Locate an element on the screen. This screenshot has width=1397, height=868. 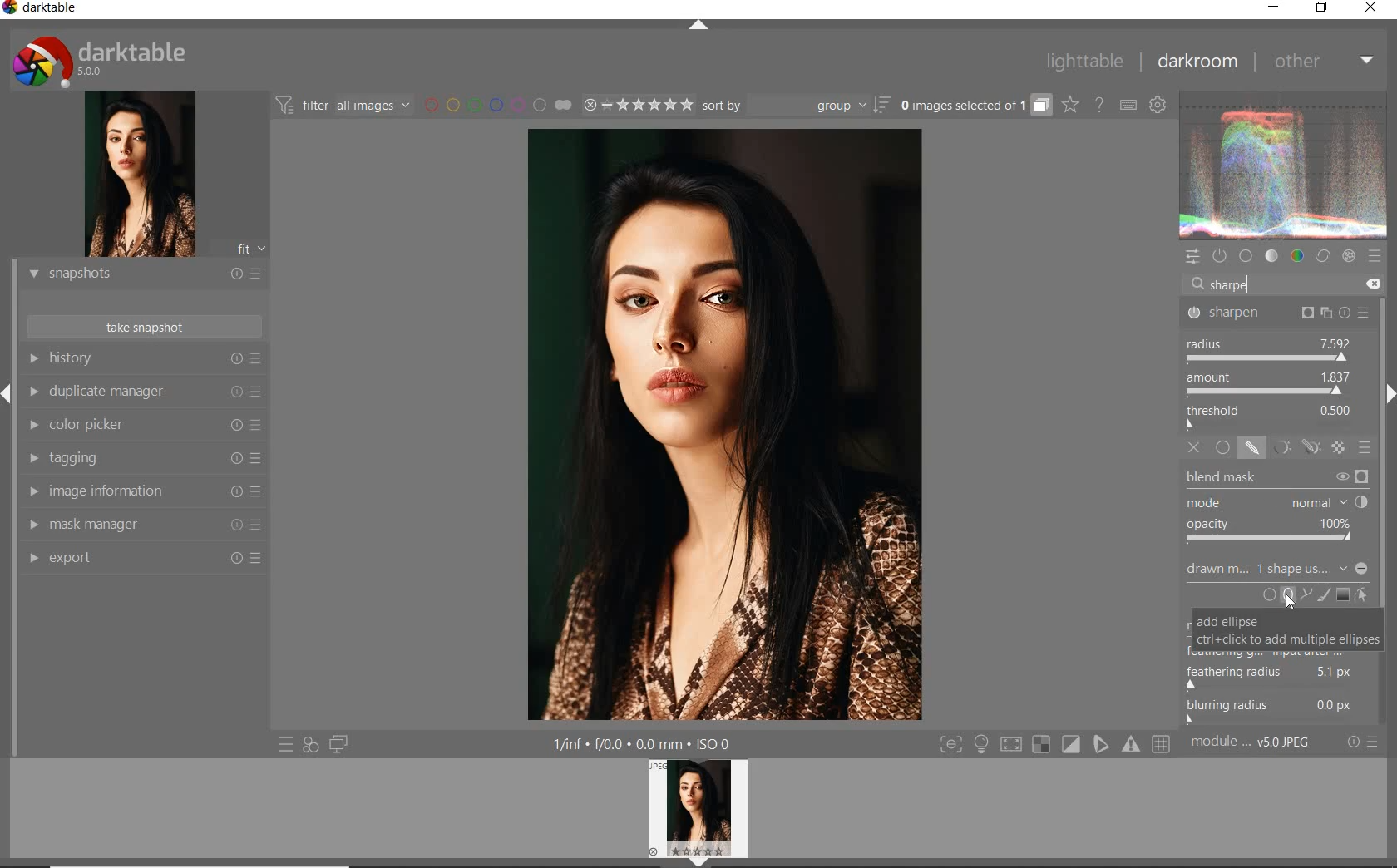
sort is located at coordinates (795, 104).